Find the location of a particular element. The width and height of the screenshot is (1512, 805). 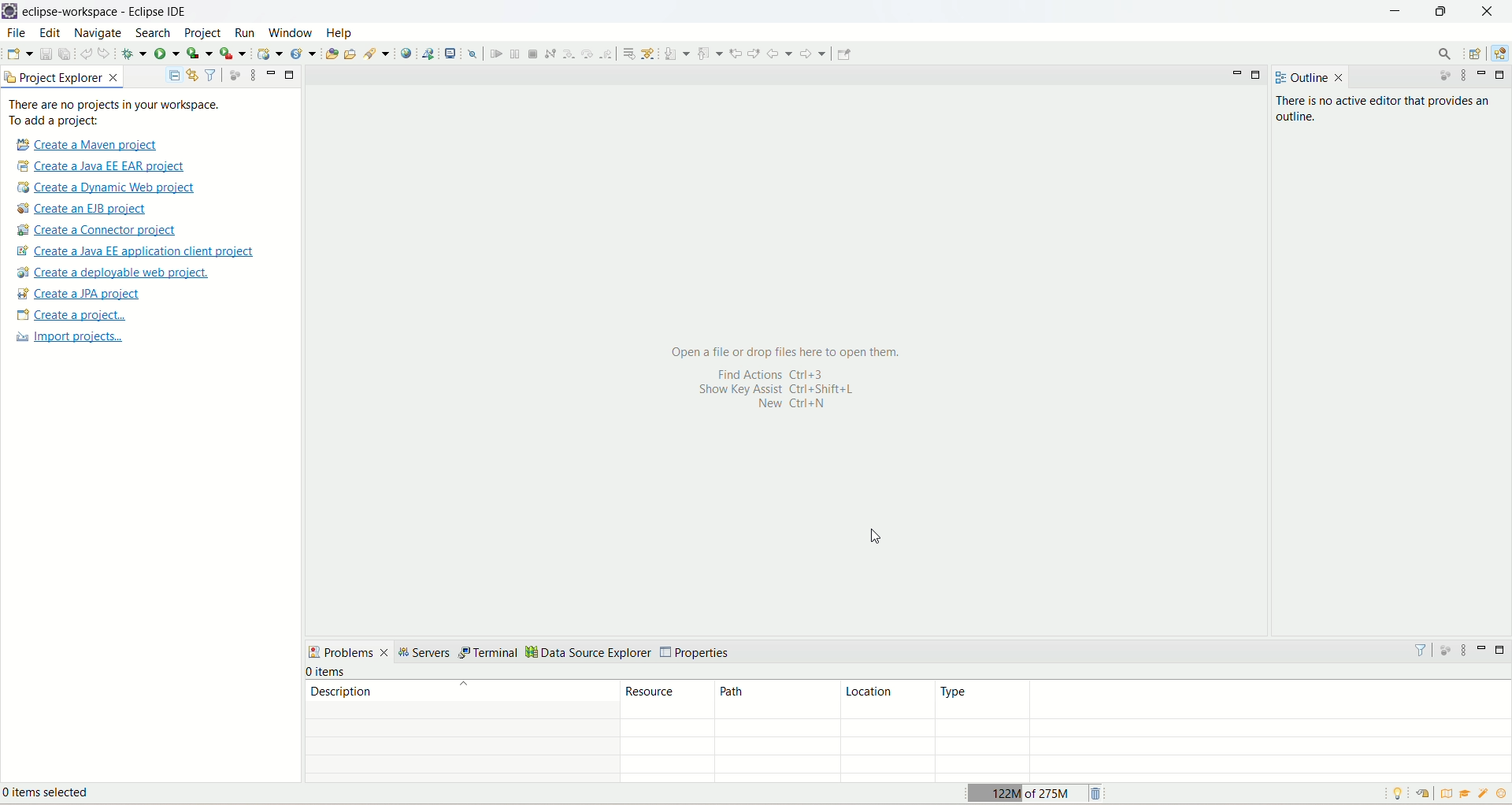

back is located at coordinates (780, 54).